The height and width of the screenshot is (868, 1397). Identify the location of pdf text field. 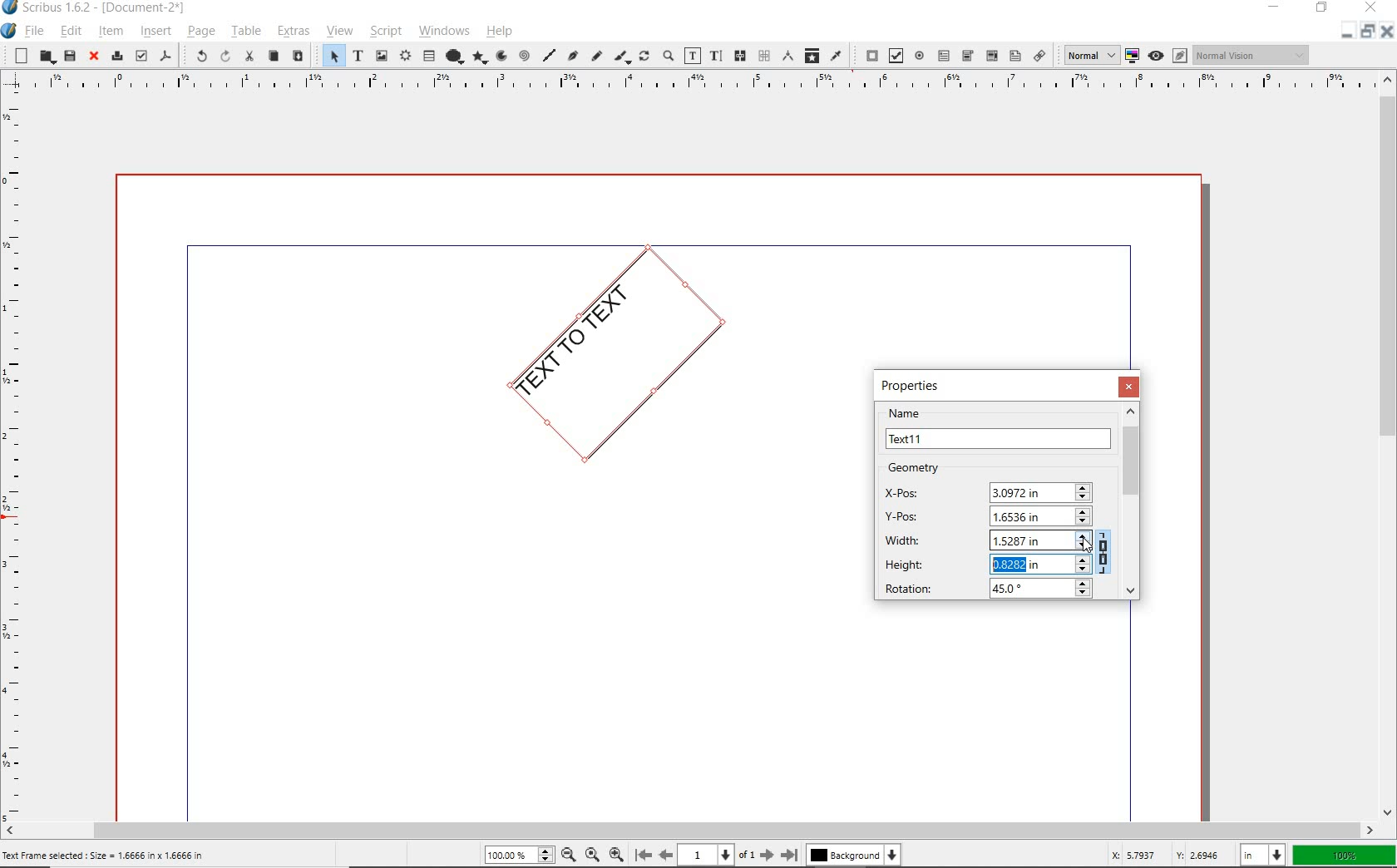
(944, 55).